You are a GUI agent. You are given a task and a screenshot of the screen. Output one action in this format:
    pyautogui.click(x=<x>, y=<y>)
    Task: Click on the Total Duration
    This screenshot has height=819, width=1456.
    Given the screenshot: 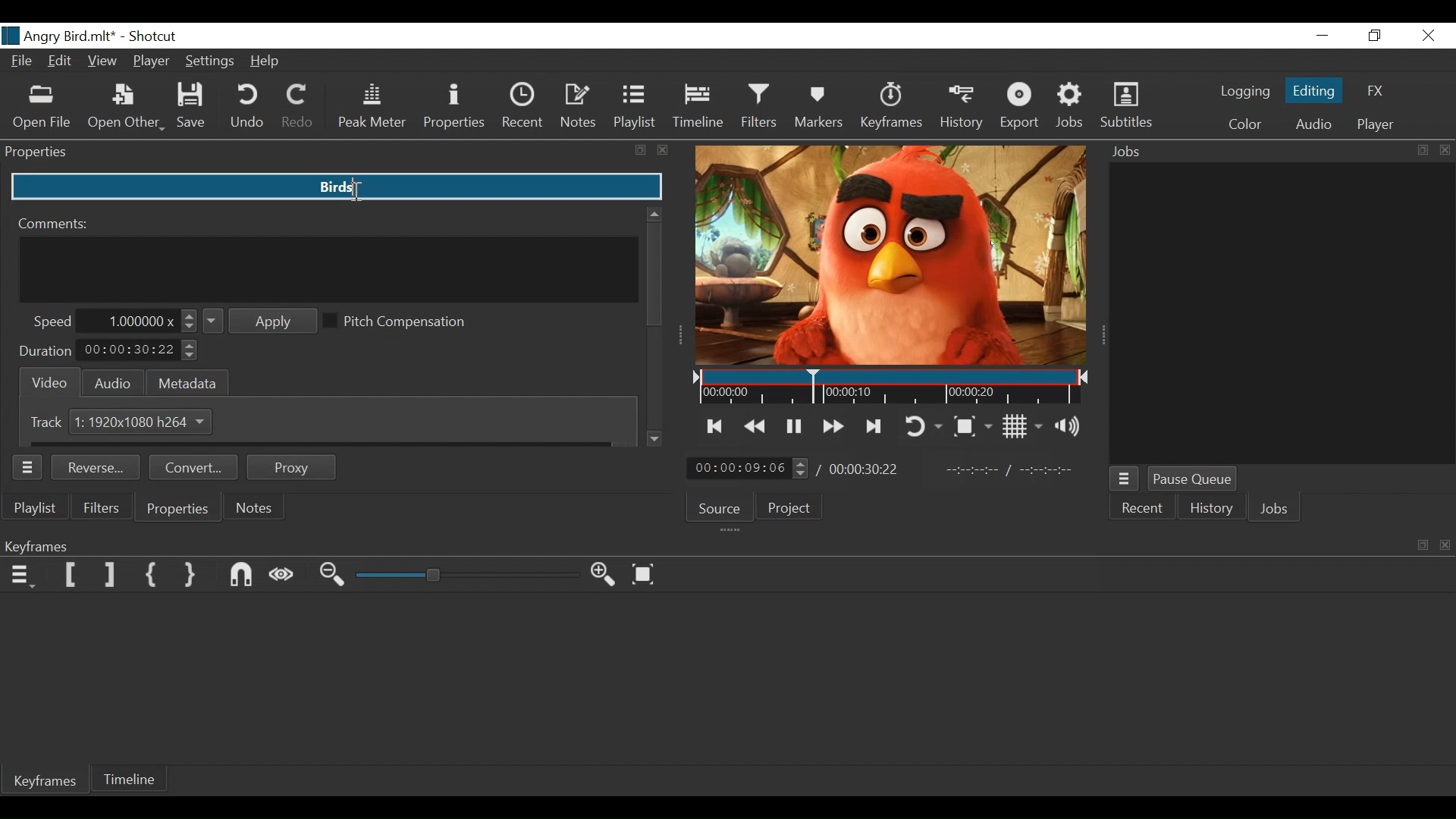 What is the action you would take?
    pyautogui.click(x=866, y=471)
    